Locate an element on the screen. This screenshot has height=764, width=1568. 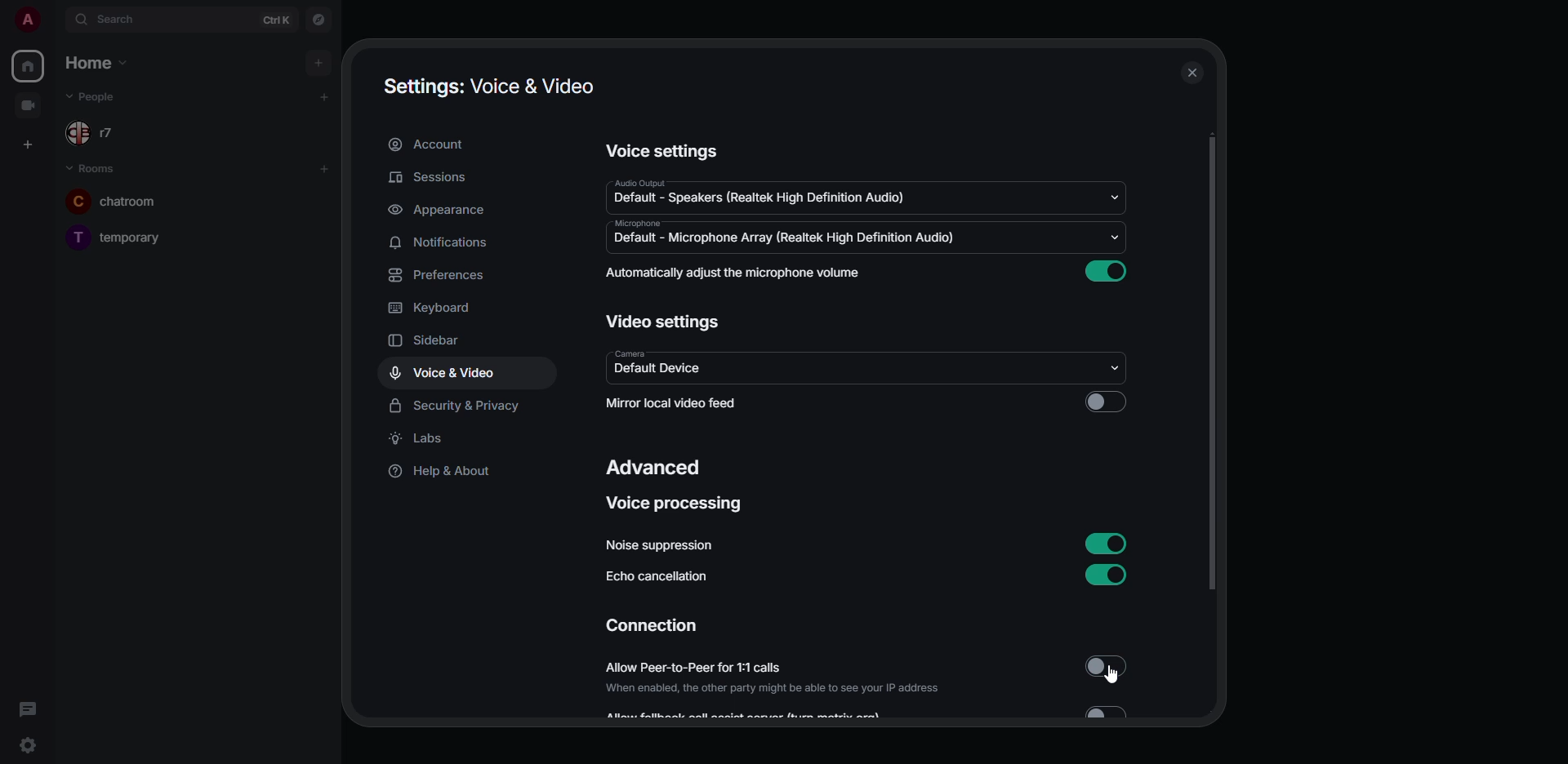
room is located at coordinates (125, 234).